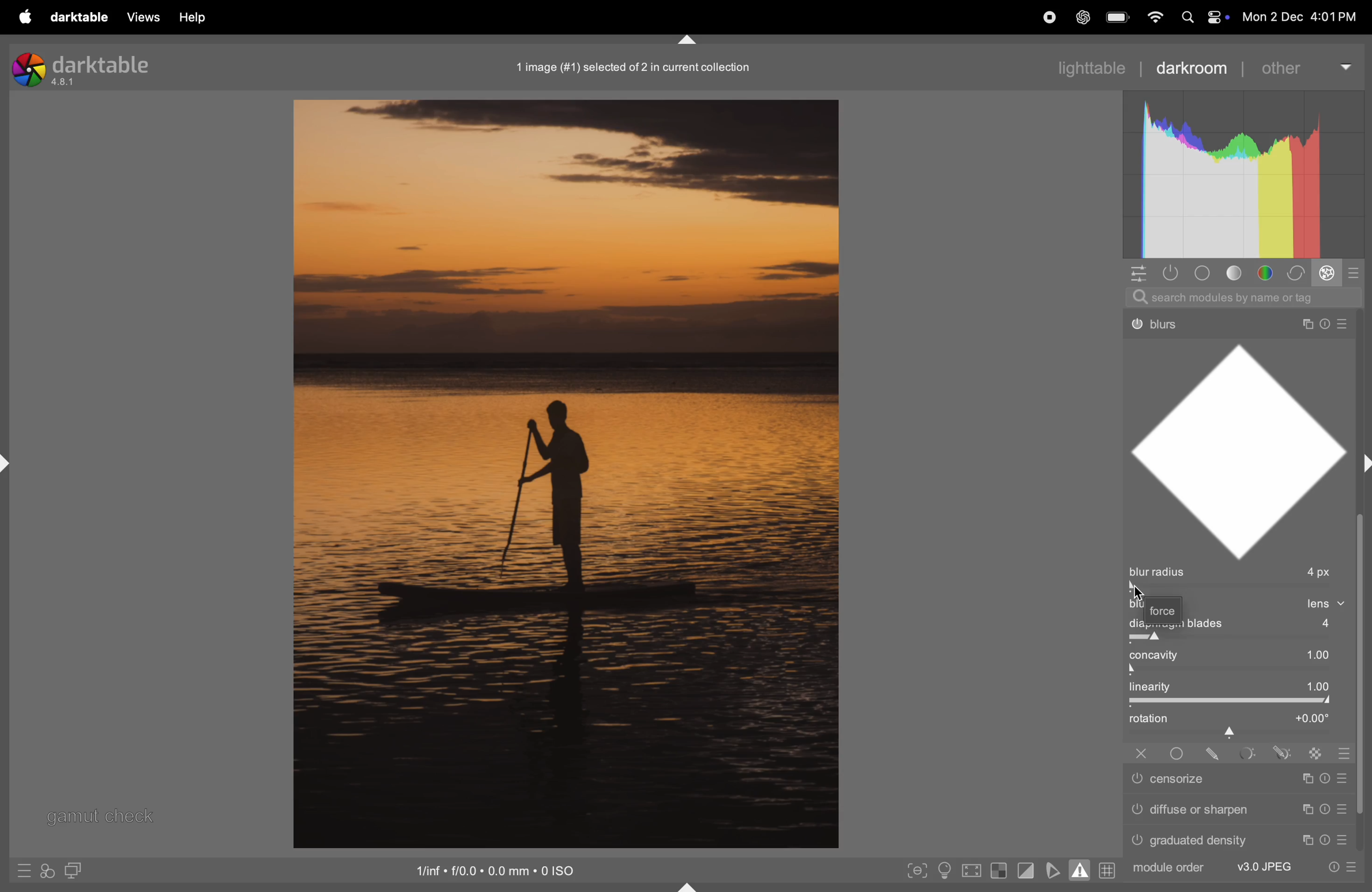 Image resolution: width=1372 pixels, height=892 pixels. I want to click on date and time, so click(1301, 13).